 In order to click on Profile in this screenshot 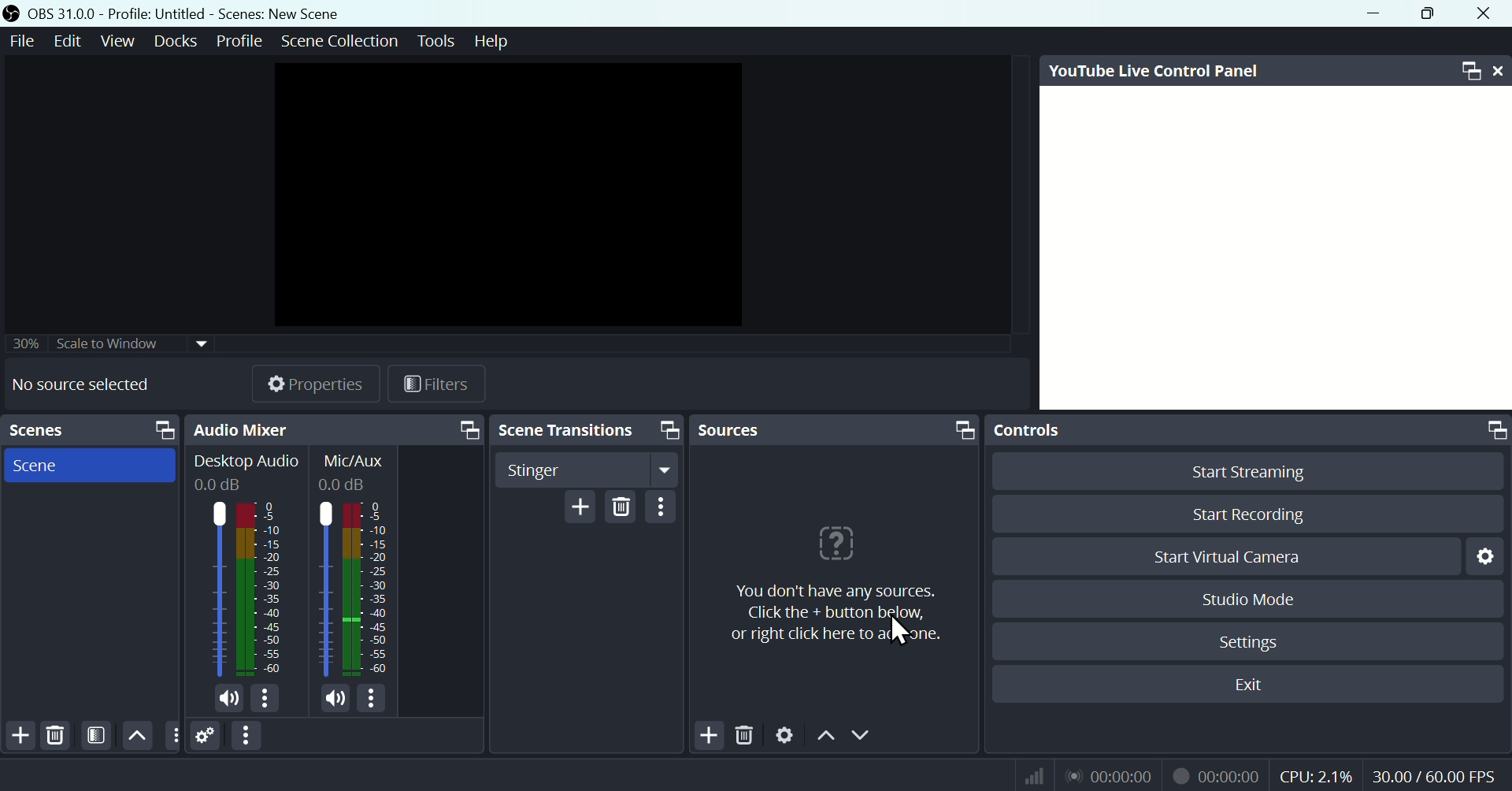, I will do `click(235, 41)`.